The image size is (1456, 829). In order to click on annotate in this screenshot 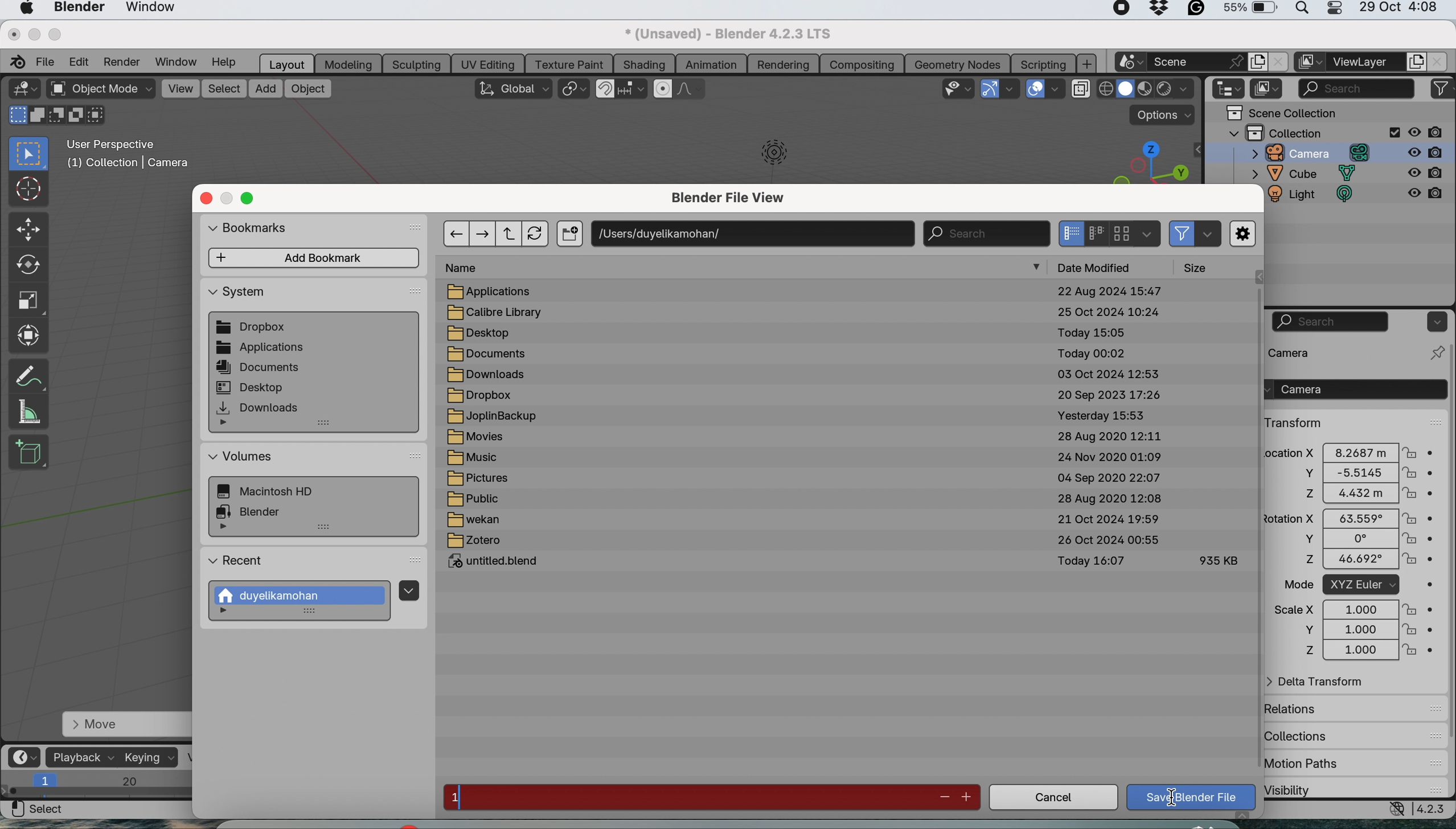, I will do `click(26, 375)`.